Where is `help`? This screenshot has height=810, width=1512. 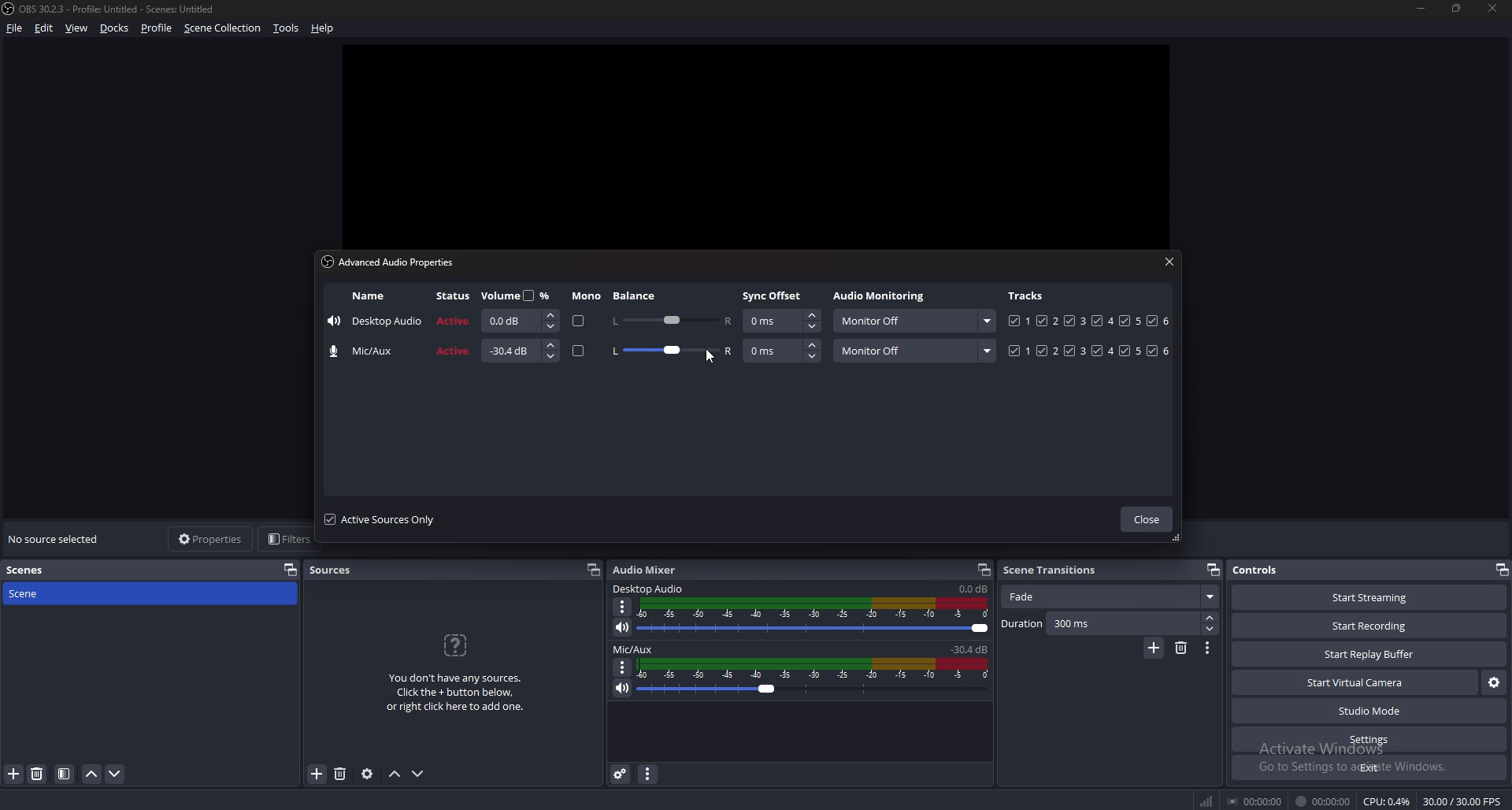
help is located at coordinates (323, 28).